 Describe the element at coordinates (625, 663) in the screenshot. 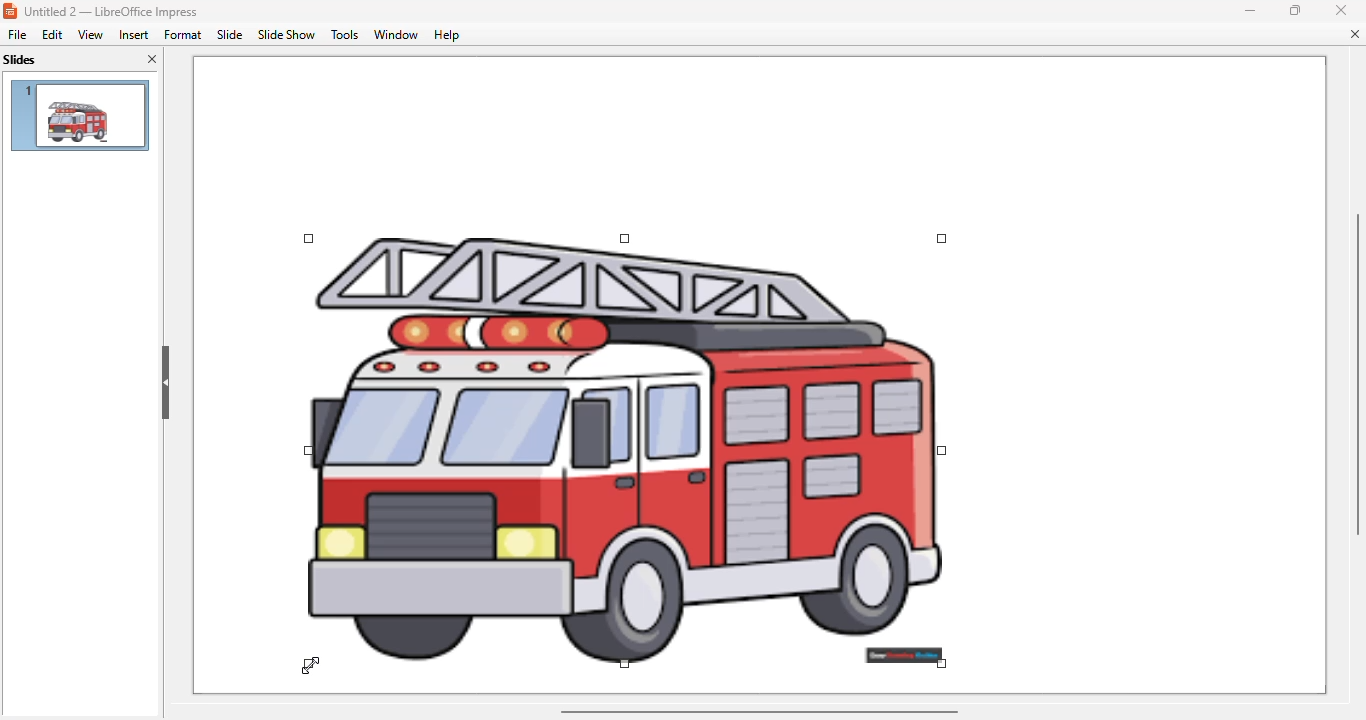

I see `corner handles` at that location.